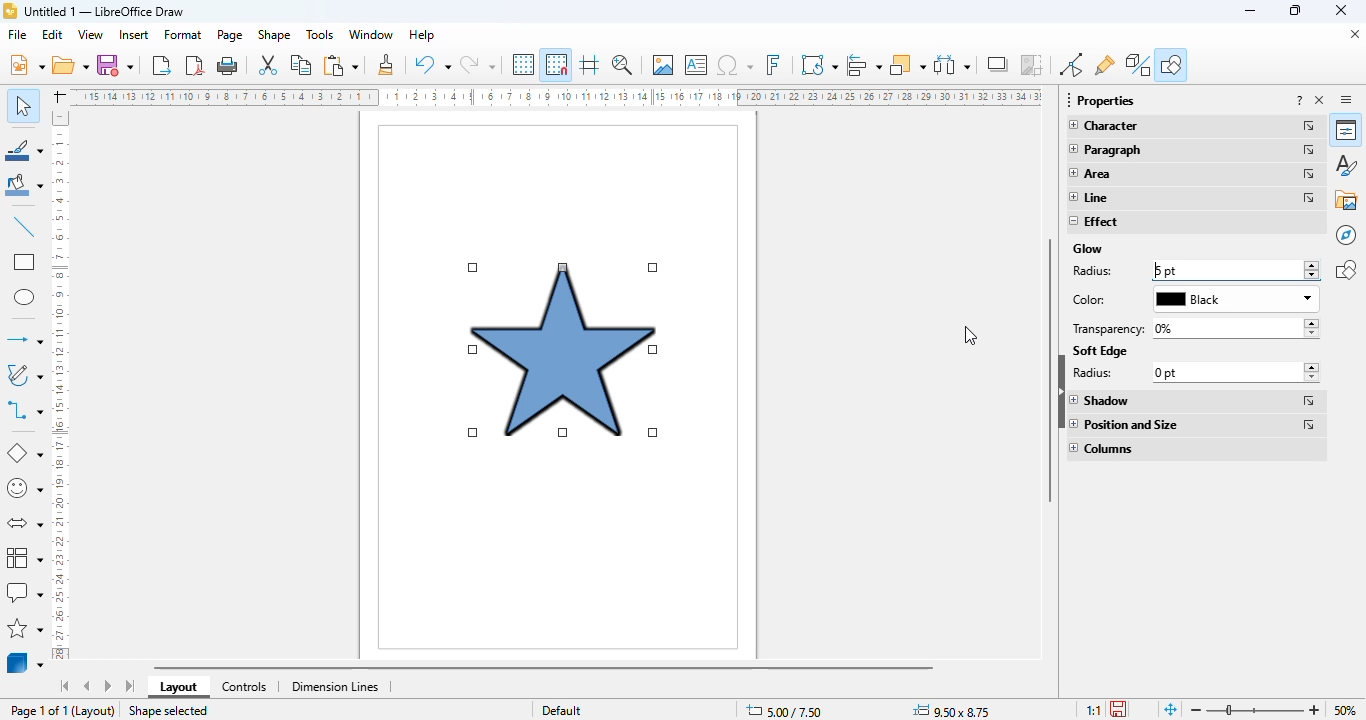 This screenshot has width=1366, height=720. I want to click on scroll to previous sheet, so click(87, 686).